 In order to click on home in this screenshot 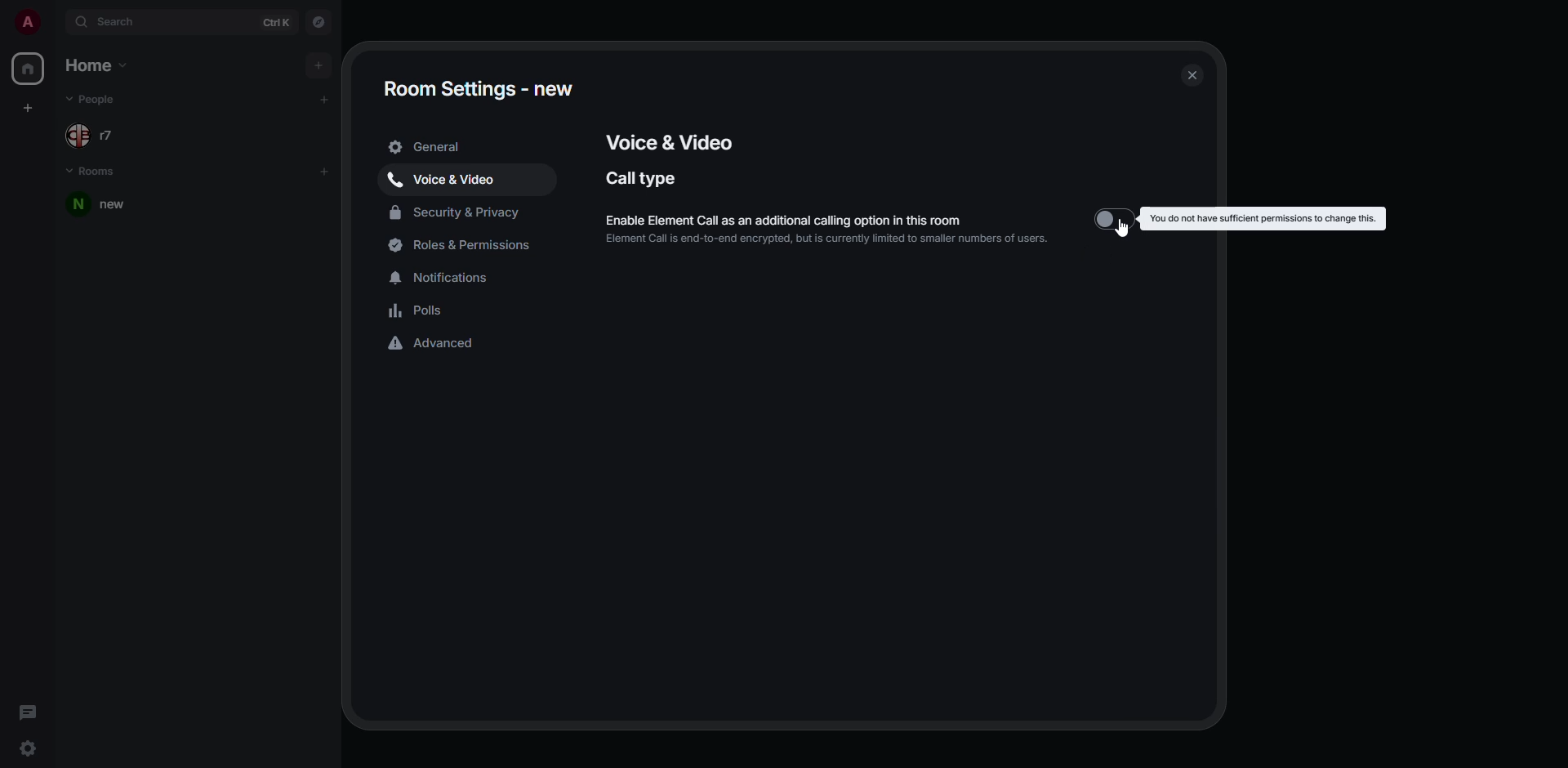, I will do `click(99, 66)`.